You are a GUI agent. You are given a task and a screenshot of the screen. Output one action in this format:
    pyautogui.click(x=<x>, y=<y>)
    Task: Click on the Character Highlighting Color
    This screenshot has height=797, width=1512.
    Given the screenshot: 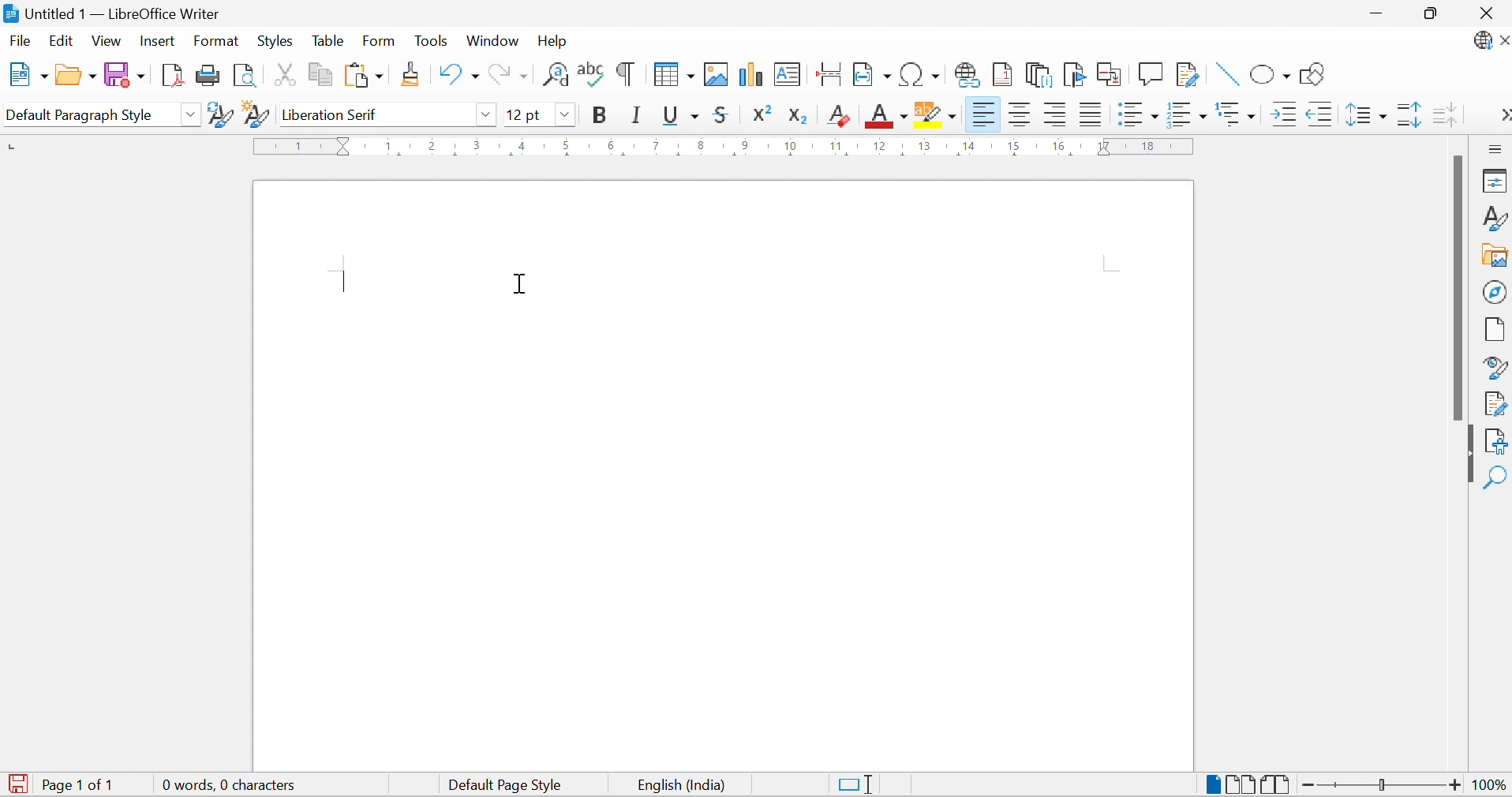 What is the action you would take?
    pyautogui.click(x=937, y=113)
    